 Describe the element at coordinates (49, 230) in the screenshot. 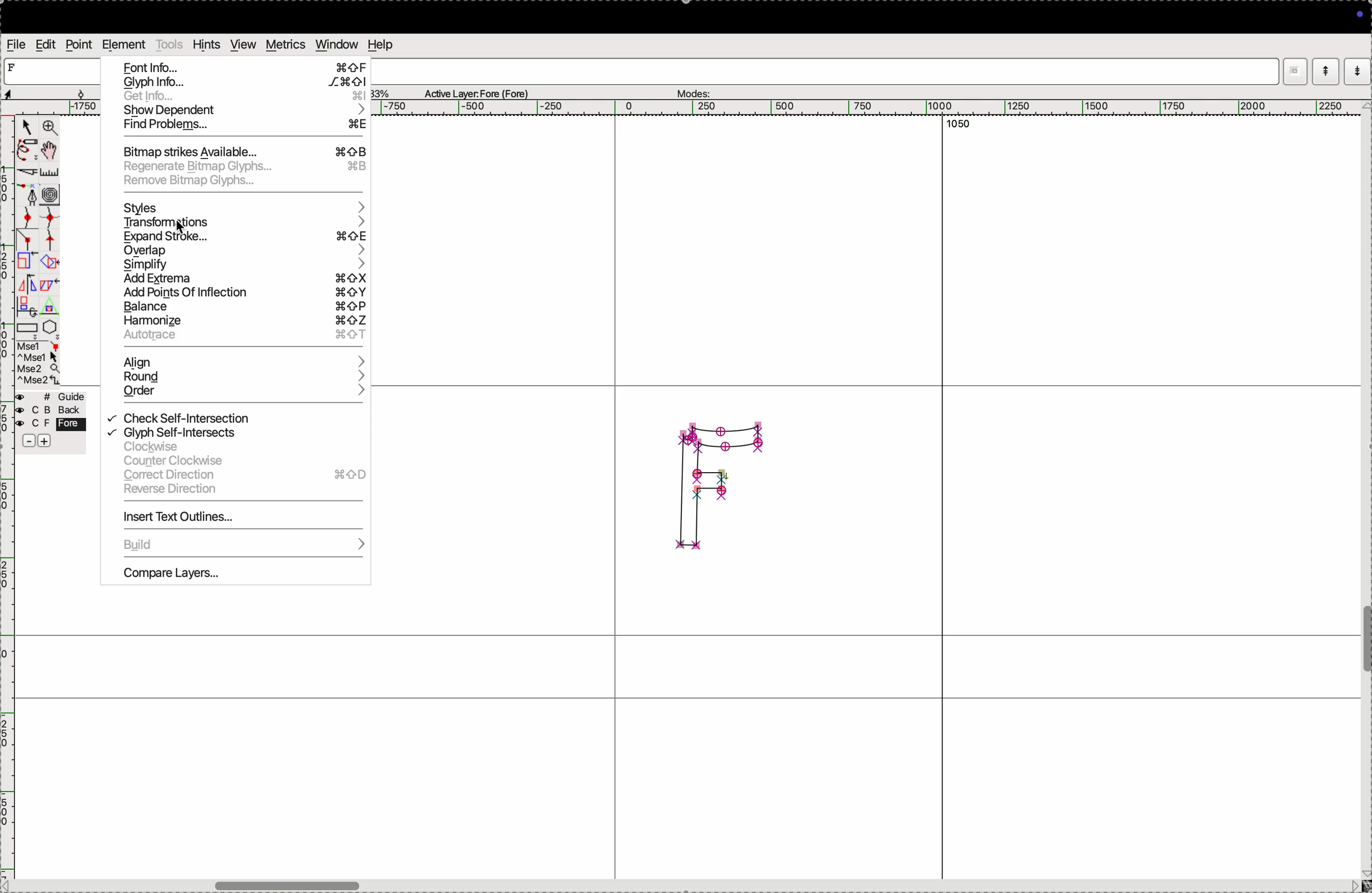

I see `spline` at that location.